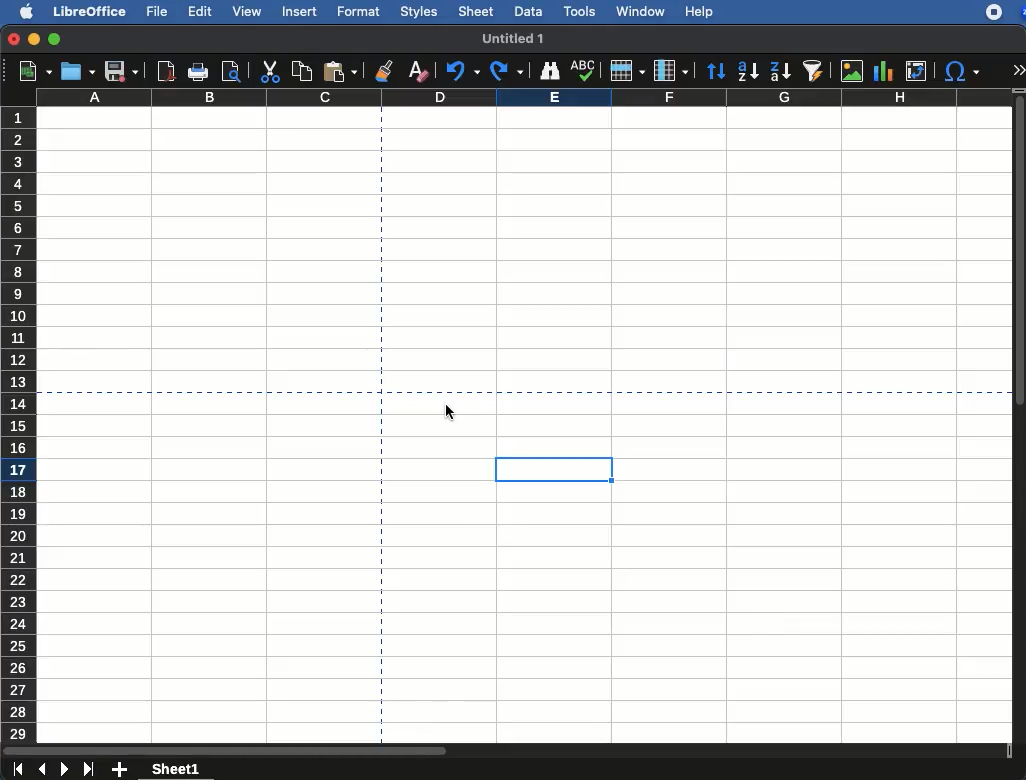 This screenshot has height=780, width=1026. I want to click on undo, so click(461, 70).